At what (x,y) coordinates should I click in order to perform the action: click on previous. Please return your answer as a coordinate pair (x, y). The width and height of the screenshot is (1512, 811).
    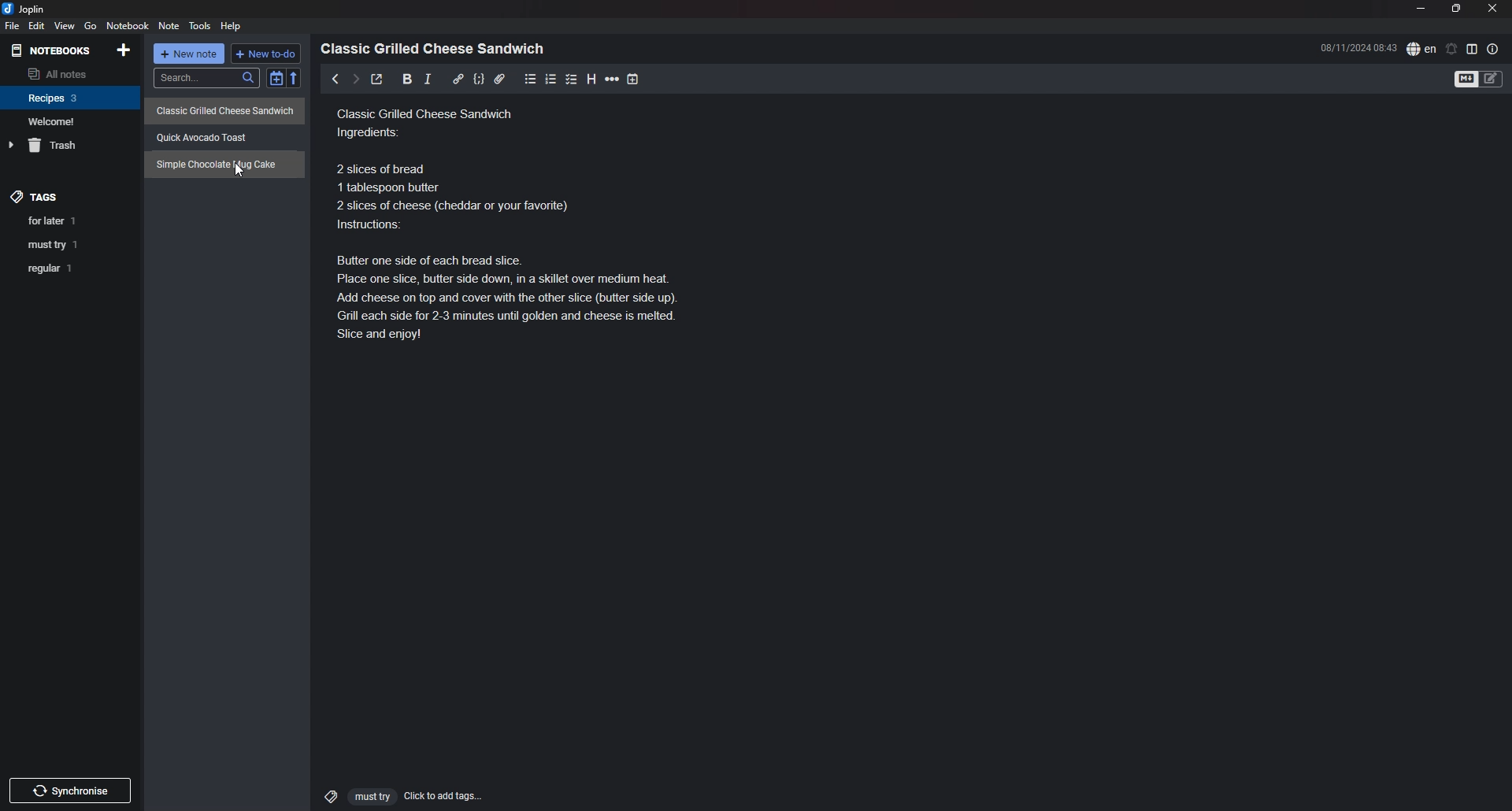
    Looking at the image, I should click on (335, 79).